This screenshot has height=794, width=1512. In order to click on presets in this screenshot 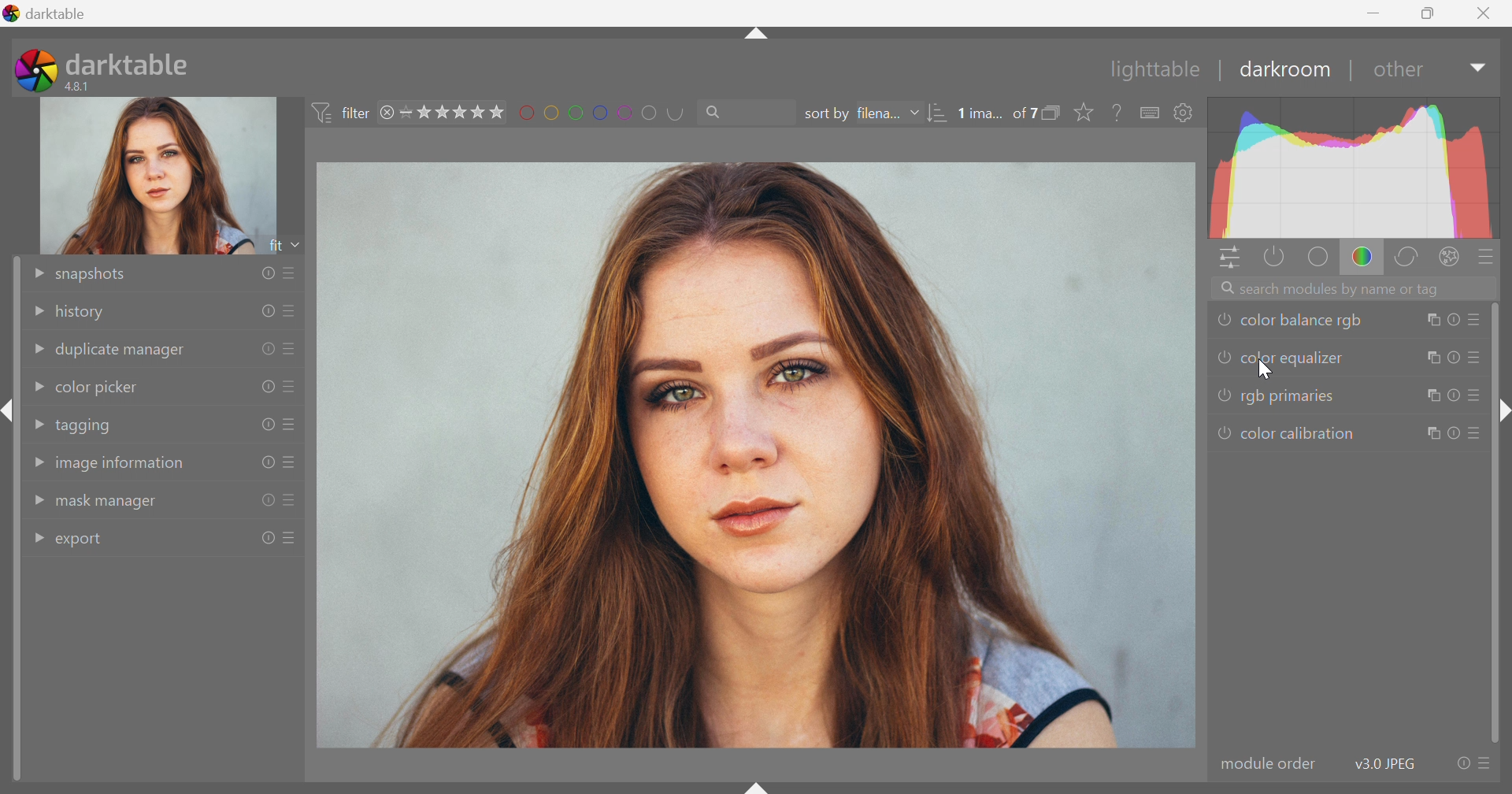, I will do `click(291, 501)`.